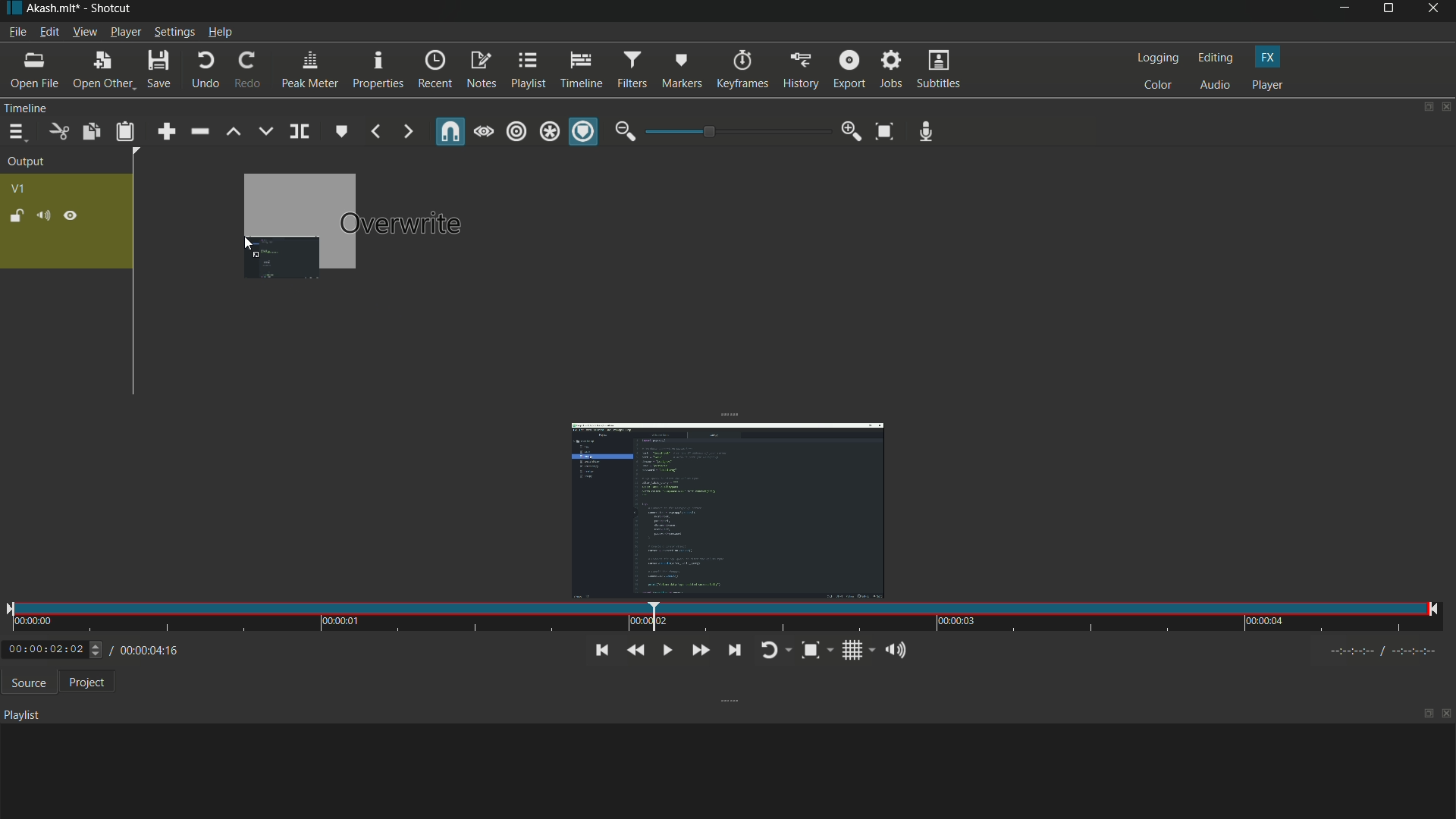 The height and width of the screenshot is (819, 1456). What do you see at coordinates (482, 71) in the screenshot?
I see `notes` at bounding box center [482, 71].